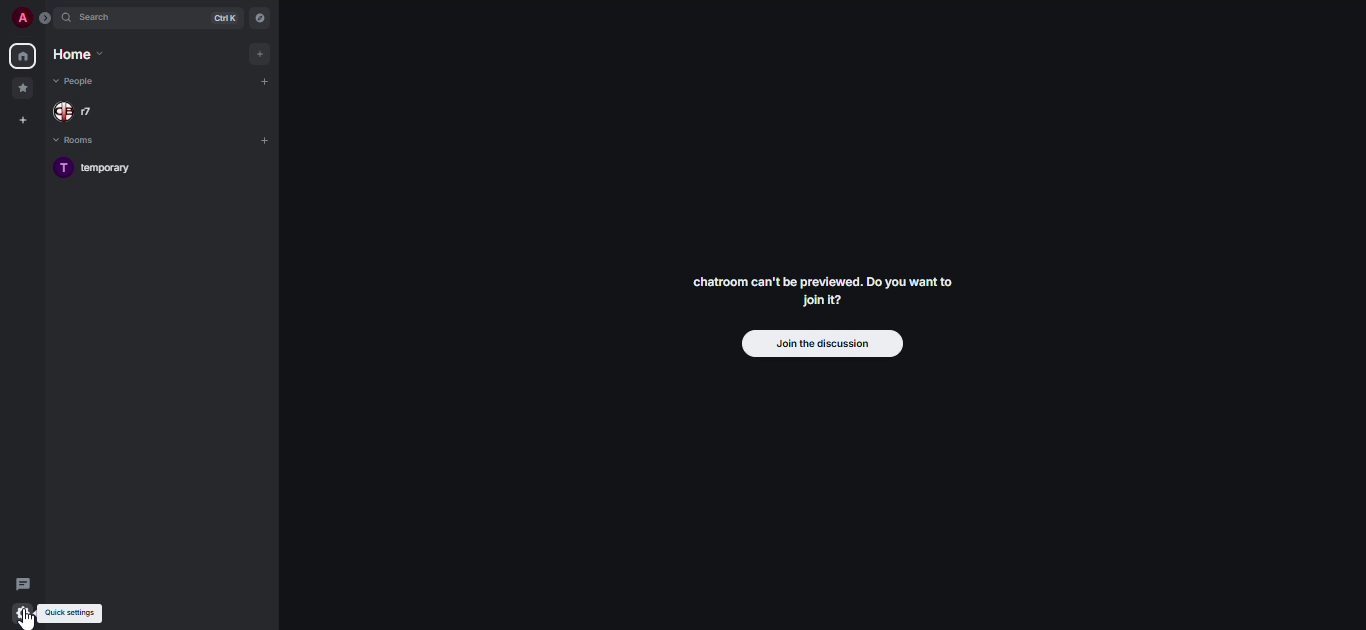 This screenshot has height=630, width=1366. What do you see at coordinates (22, 614) in the screenshot?
I see `quick settings` at bounding box center [22, 614].